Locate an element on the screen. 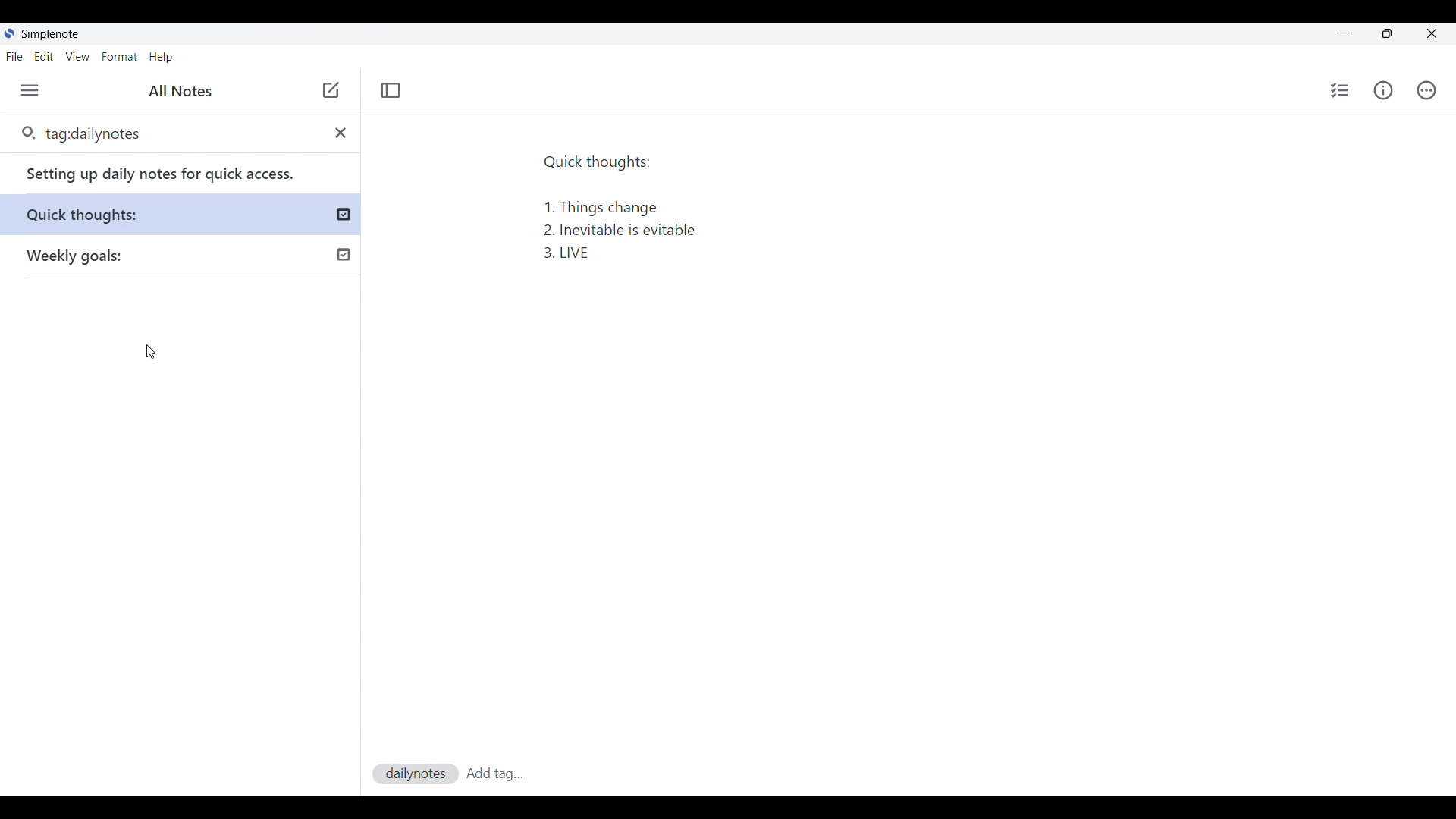  View menu is located at coordinates (77, 57).